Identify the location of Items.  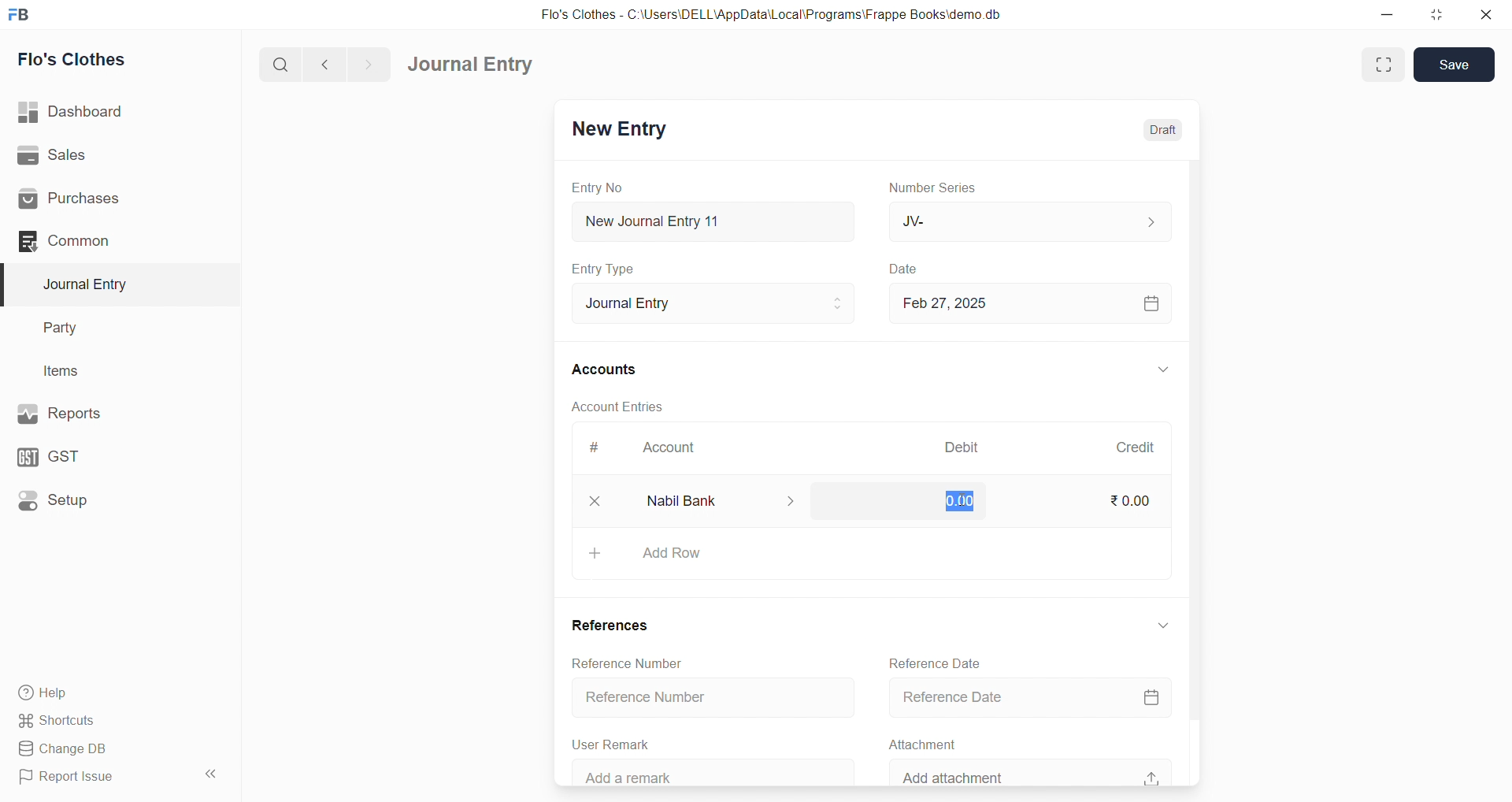
(67, 370).